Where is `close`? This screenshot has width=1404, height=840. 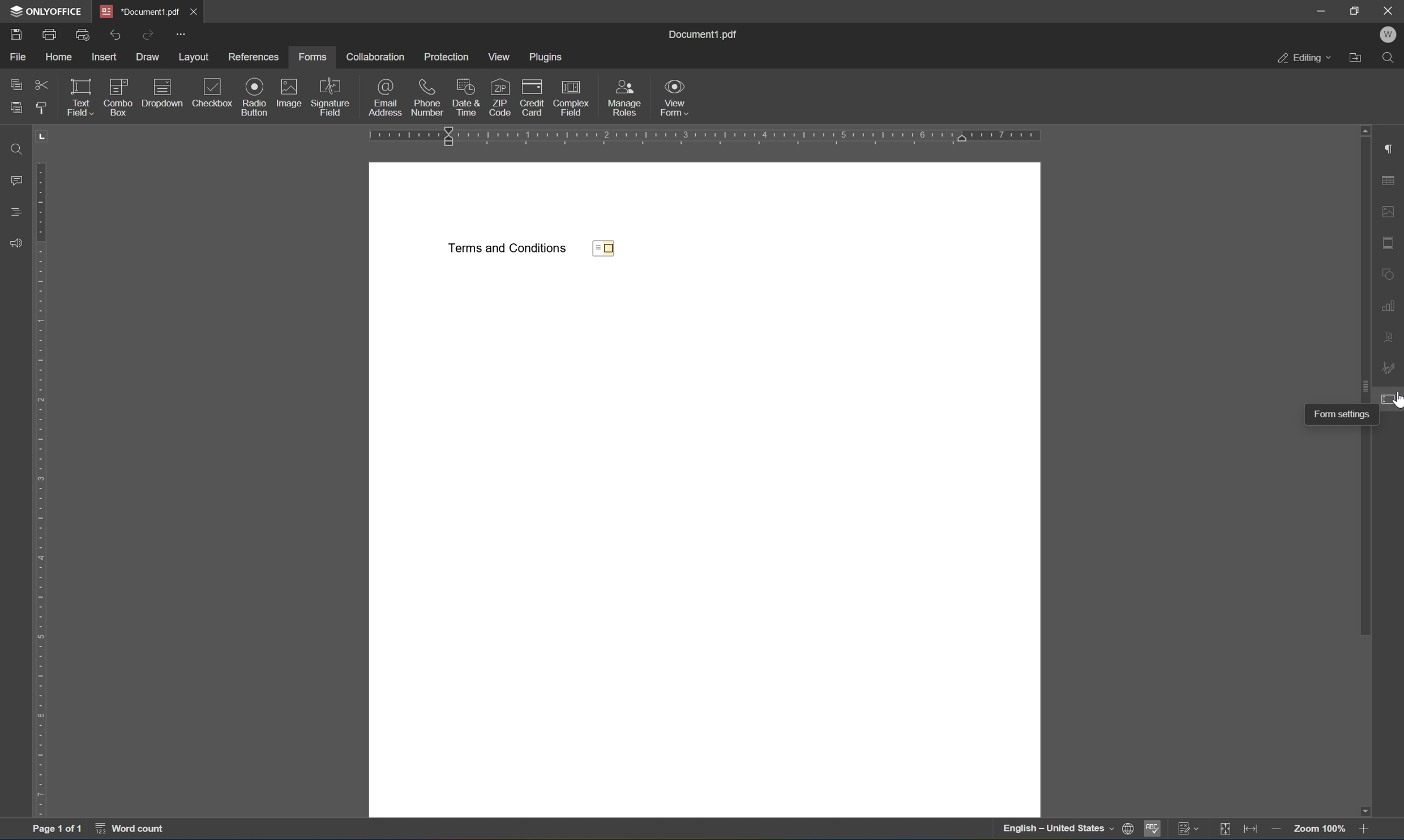
close is located at coordinates (1389, 10).